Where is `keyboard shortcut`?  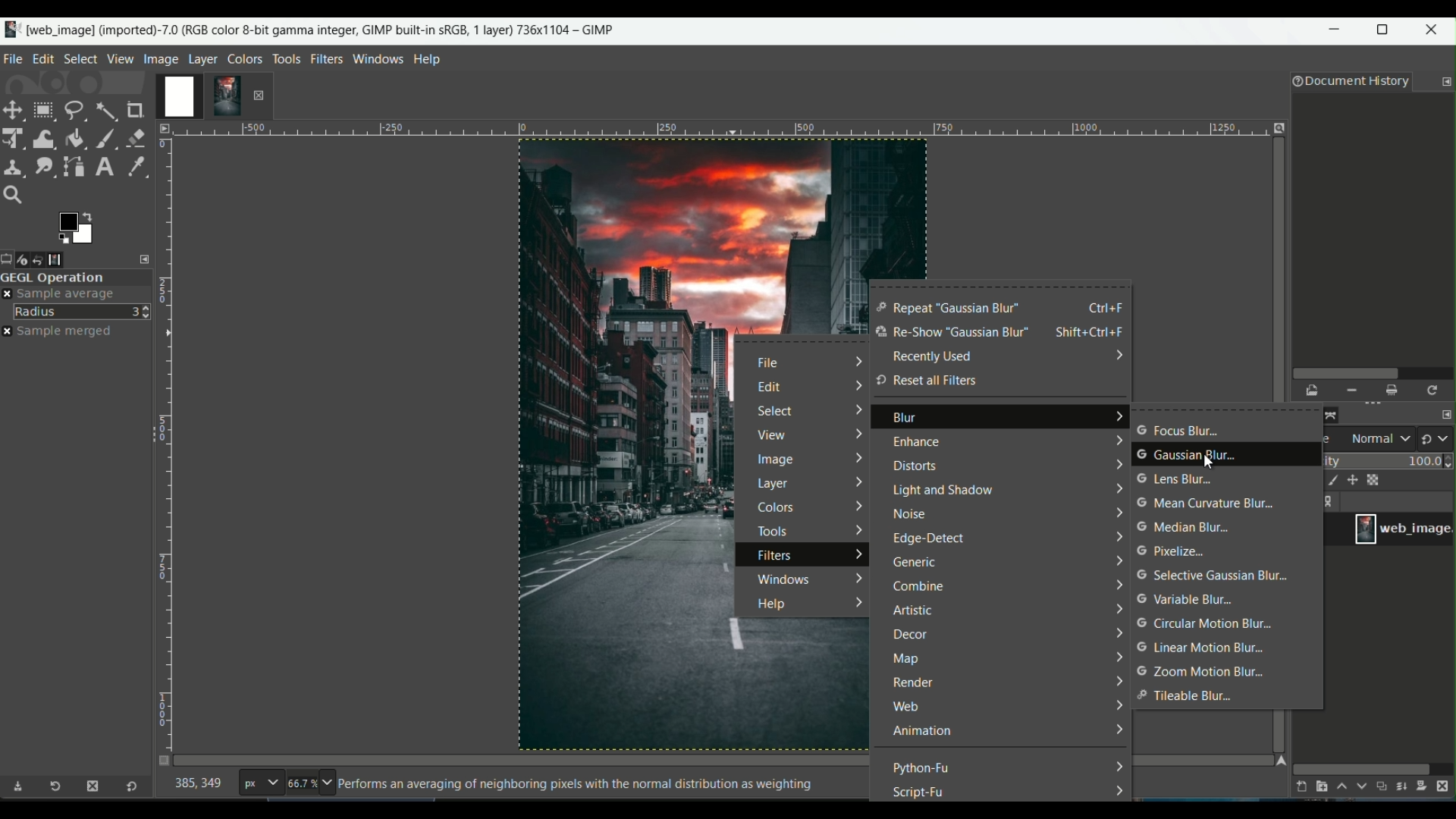
keyboard shortcut is located at coordinates (1094, 333).